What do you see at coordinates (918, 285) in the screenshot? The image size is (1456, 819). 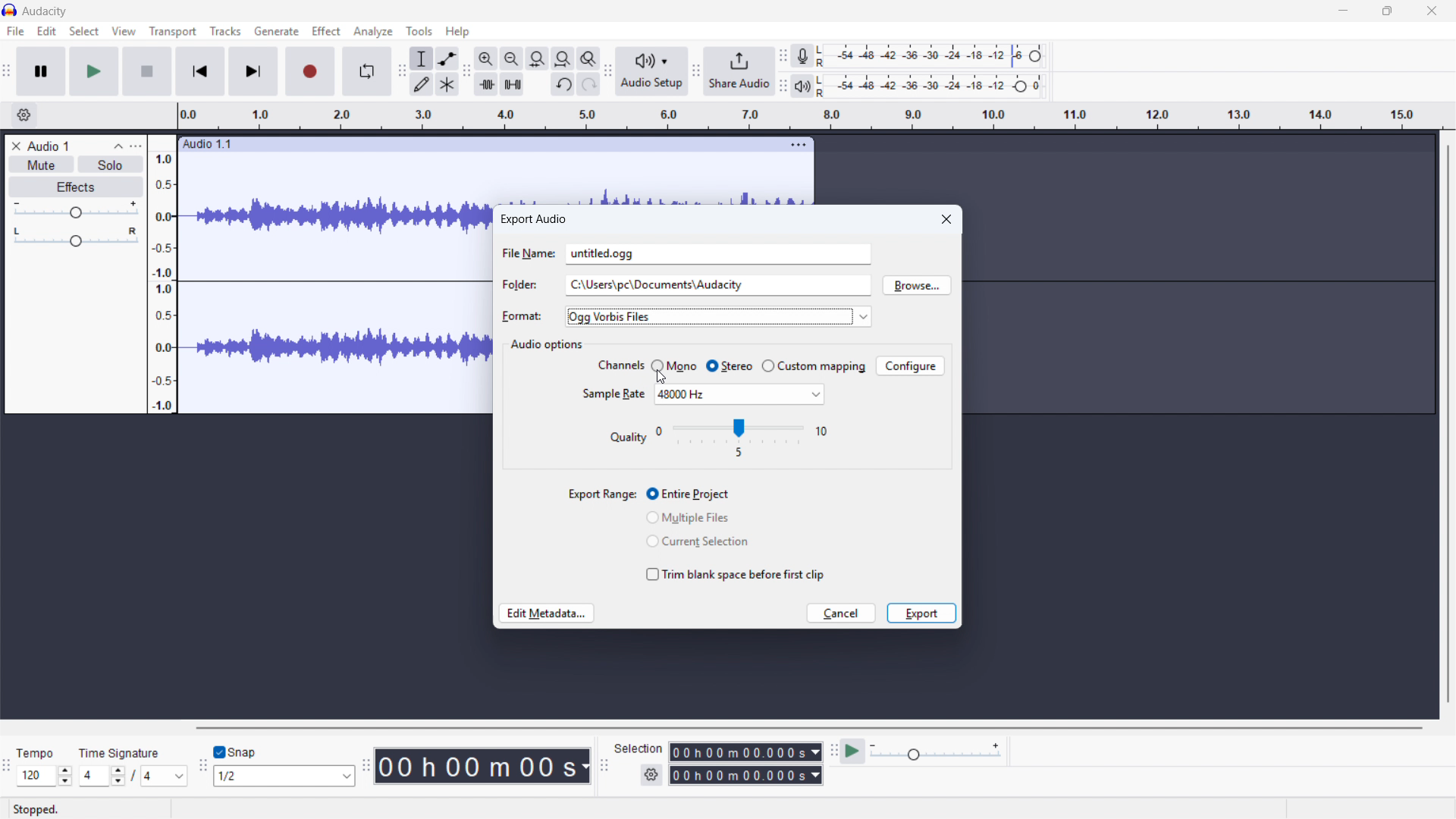 I see `Browse location ` at bounding box center [918, 285].